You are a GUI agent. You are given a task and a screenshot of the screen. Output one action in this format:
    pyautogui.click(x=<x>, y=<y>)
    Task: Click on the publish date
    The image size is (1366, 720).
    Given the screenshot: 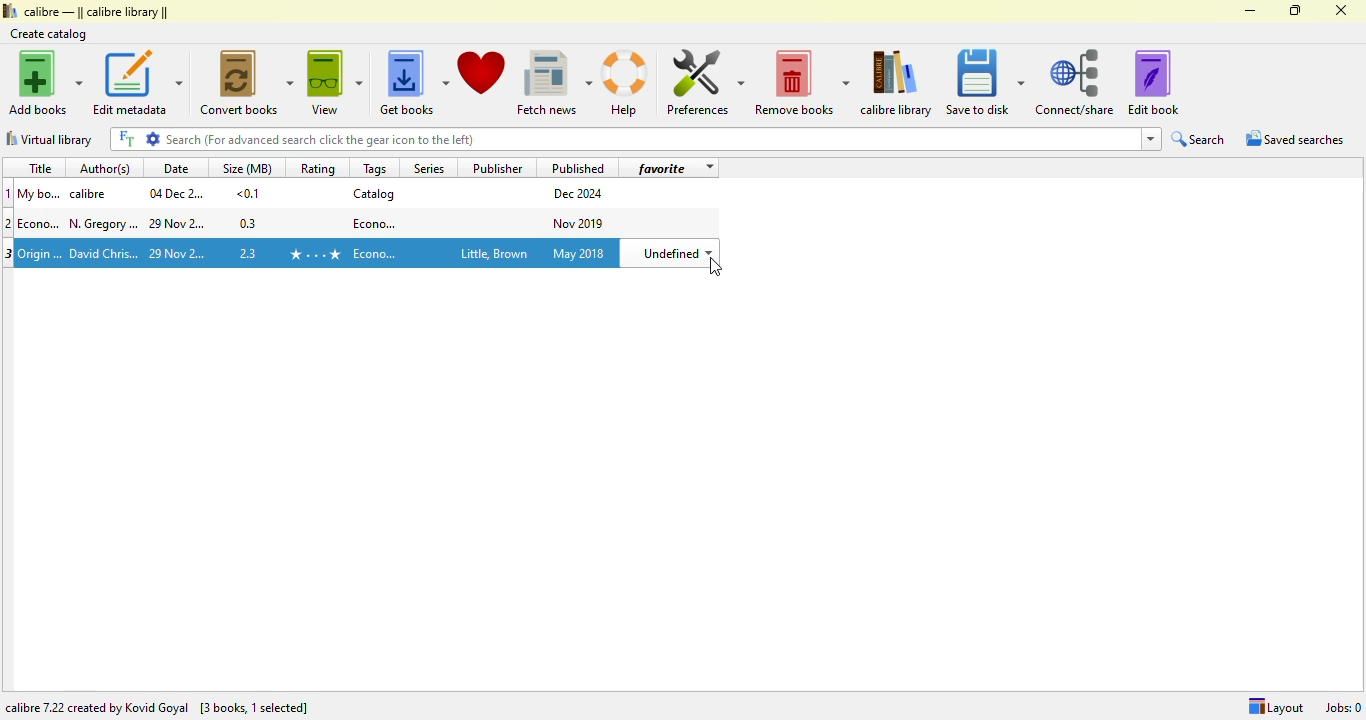 What is the action you would take?
    pyautogui.click(x=580, y=253)
    